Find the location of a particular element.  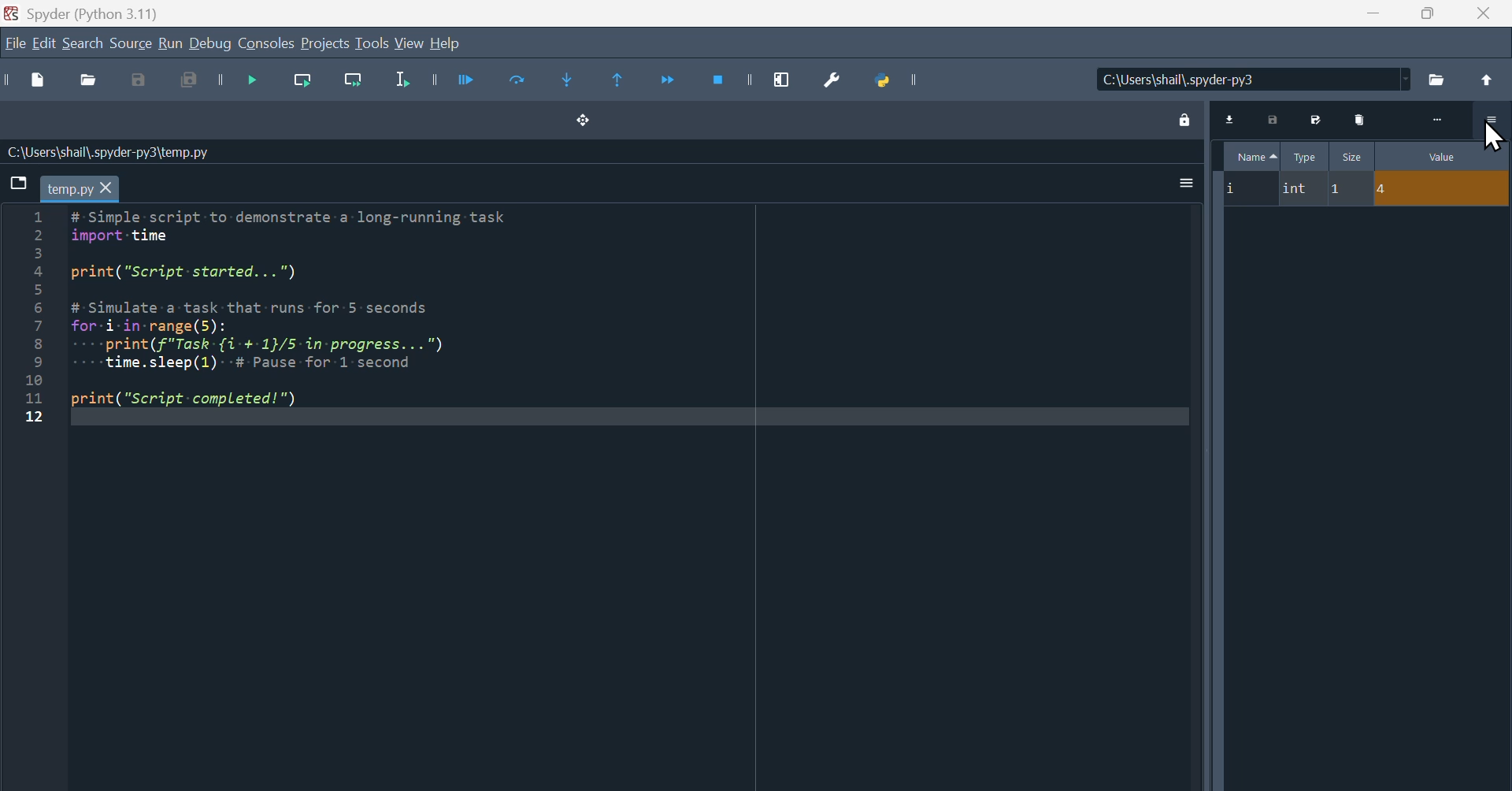

More is located at coordinates (1438, 118).